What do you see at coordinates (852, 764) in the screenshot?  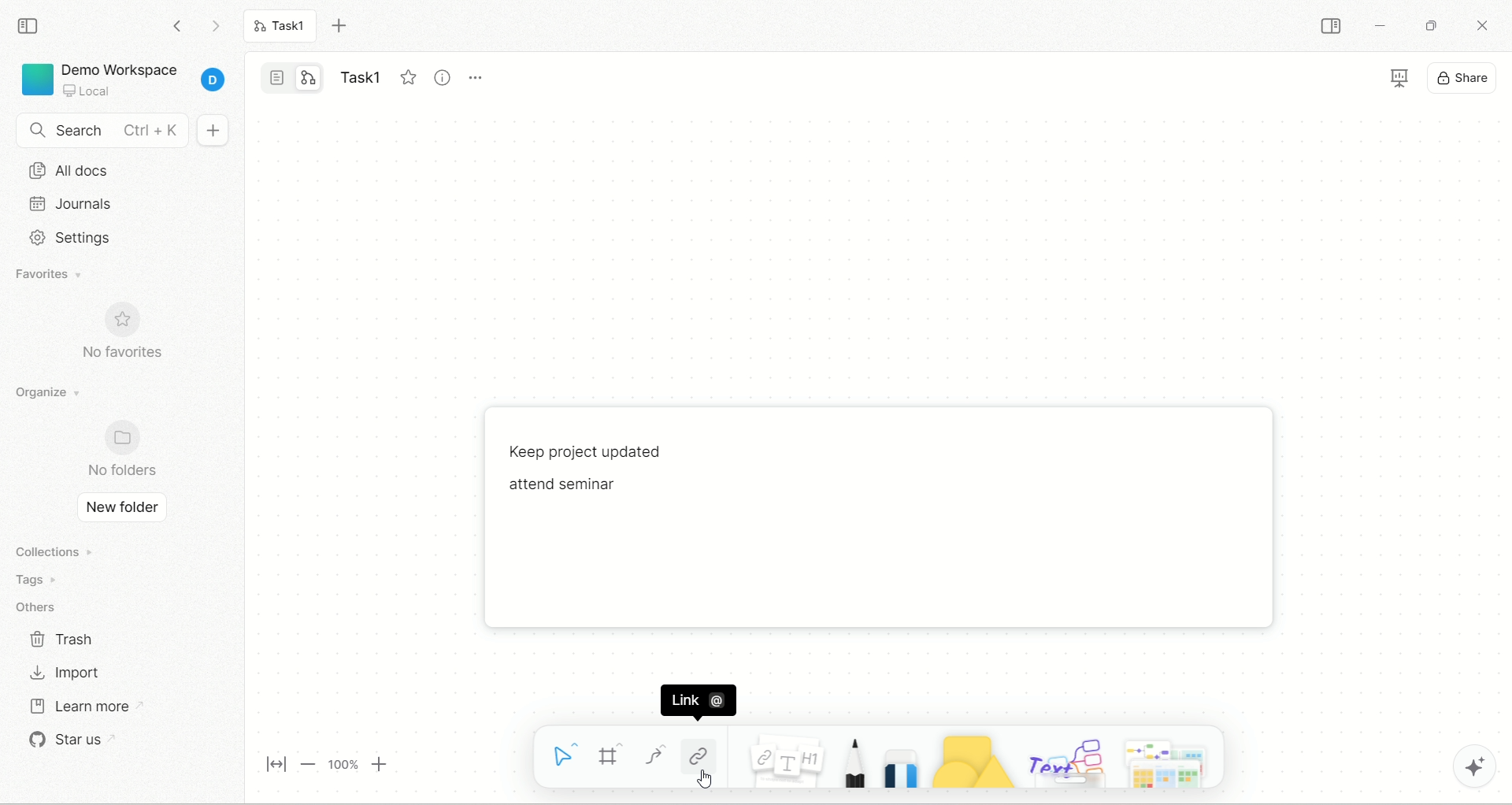 I see `pencil` at bounding box center [852, 764].